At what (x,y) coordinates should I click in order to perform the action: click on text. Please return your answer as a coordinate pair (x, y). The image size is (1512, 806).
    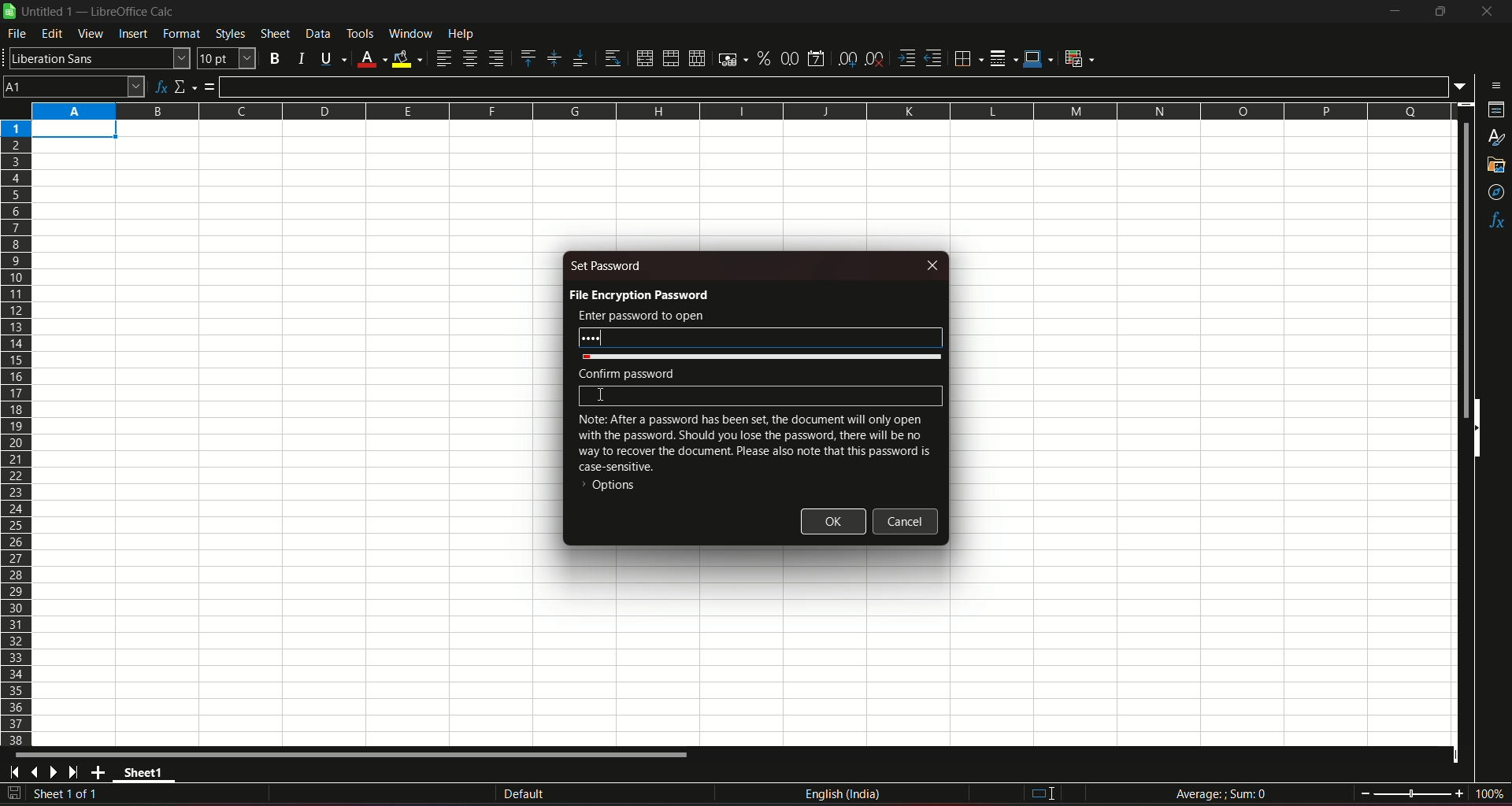
    Looking at the image, I should click on (624, 372).